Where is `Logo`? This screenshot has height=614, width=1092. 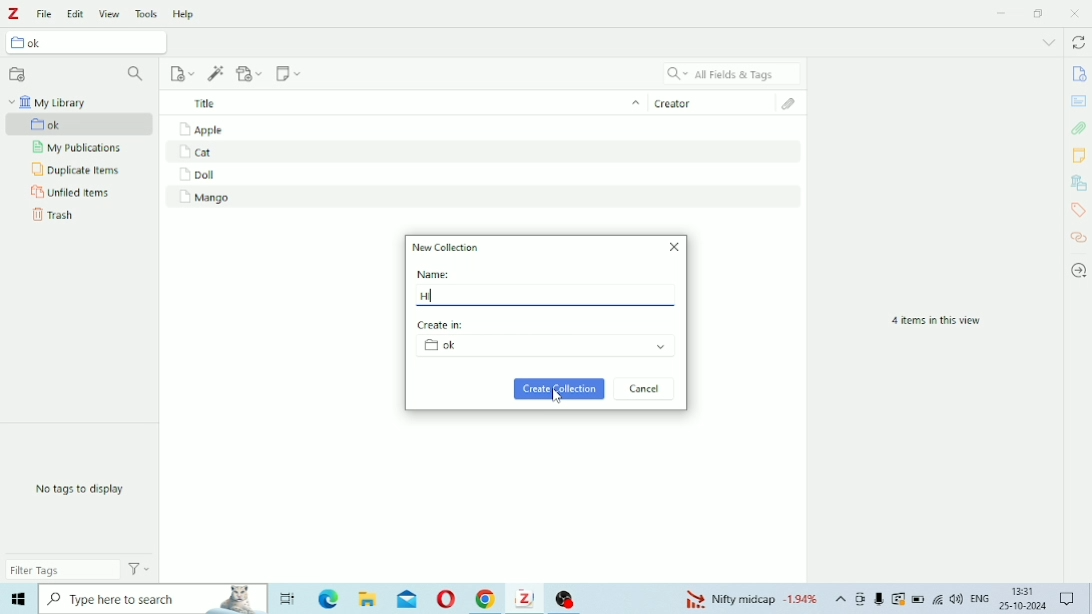
Logo is located at coordinates (12, 14).